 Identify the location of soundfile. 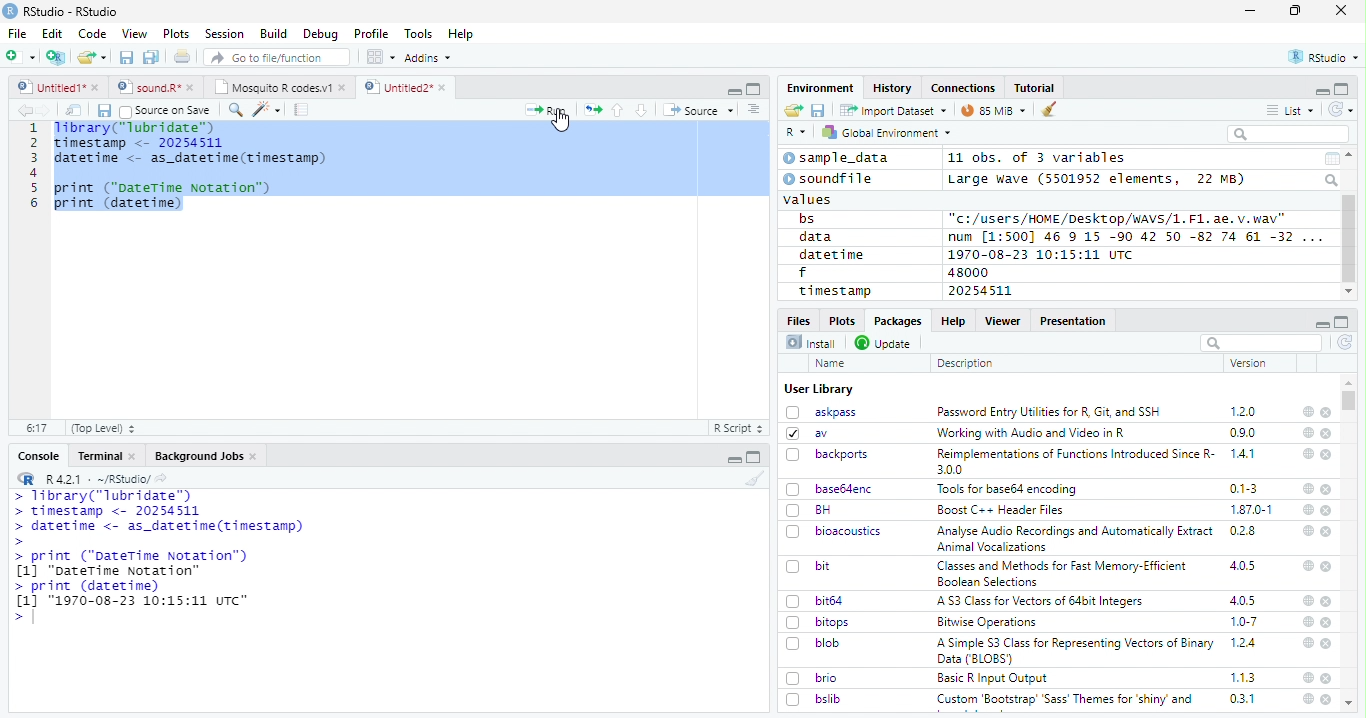
(829, 179).